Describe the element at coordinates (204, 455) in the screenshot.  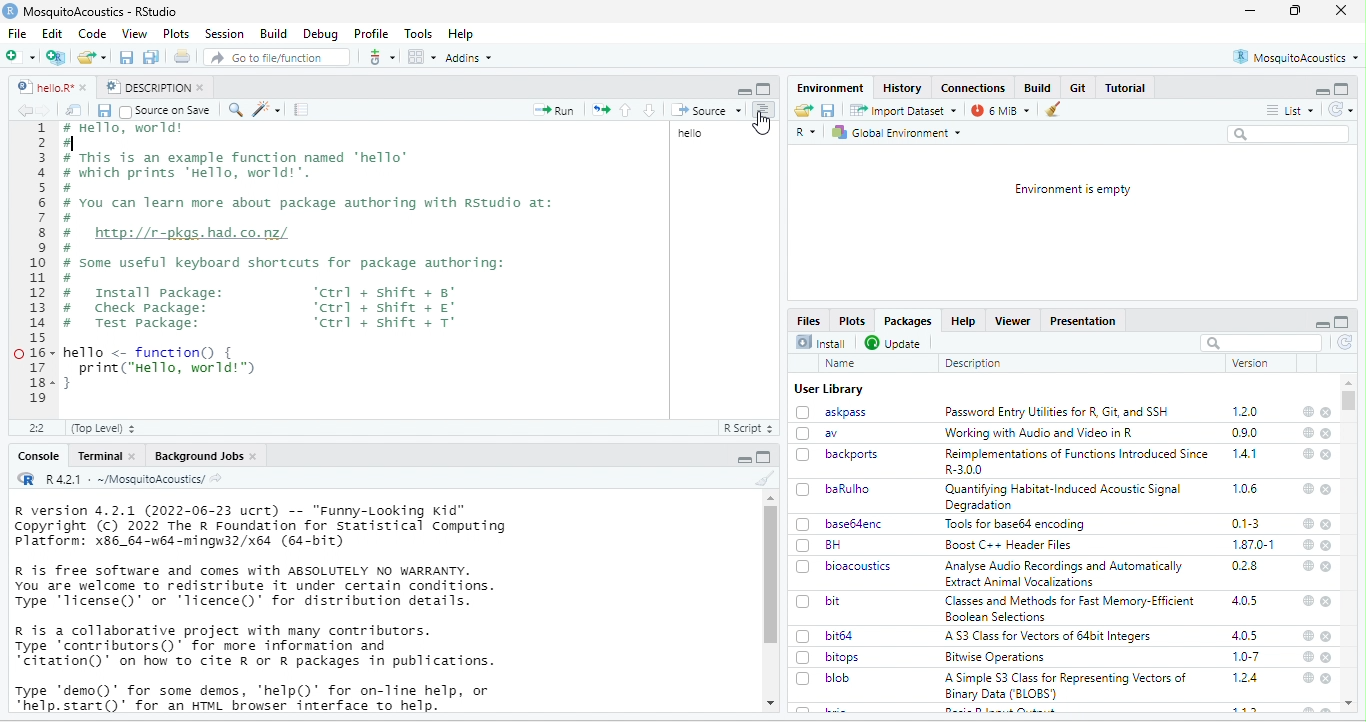
I see `Background Jobs` at that location.